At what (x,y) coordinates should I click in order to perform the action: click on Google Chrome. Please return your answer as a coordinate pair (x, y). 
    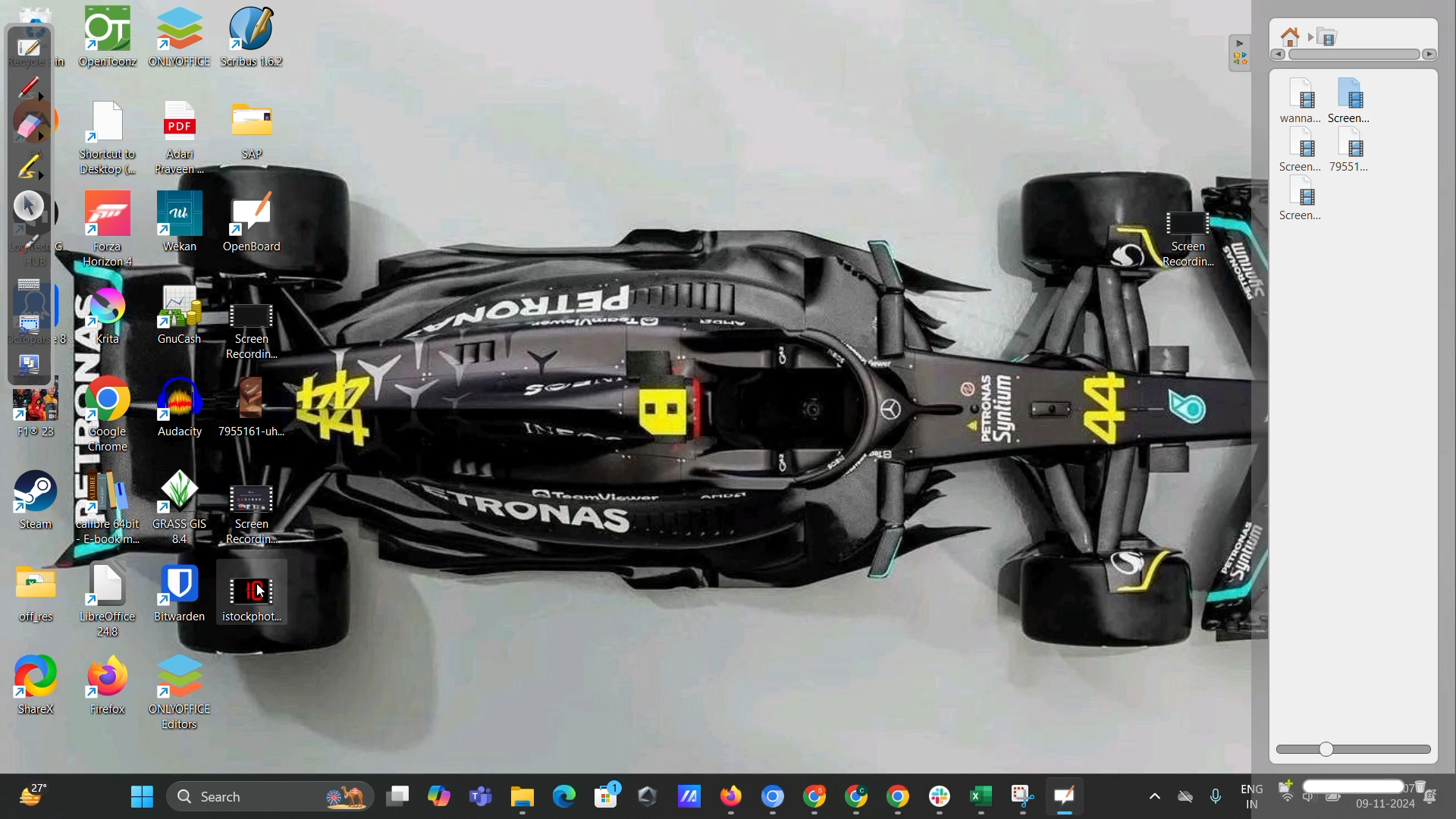
    Looking at the image, I should click on (112, 413).